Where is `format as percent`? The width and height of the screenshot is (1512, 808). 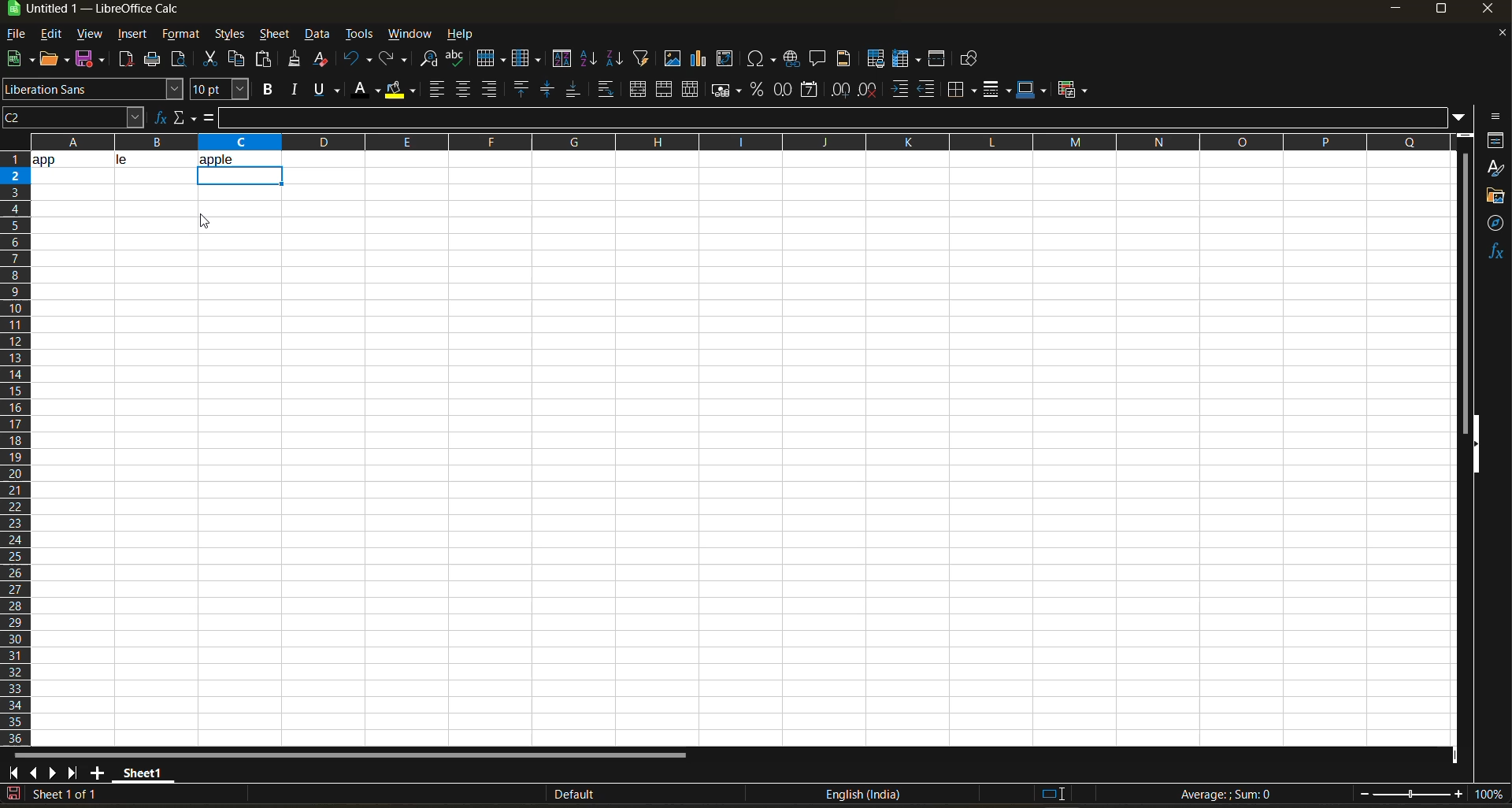
format as percent is located at coordinates (759, 90).